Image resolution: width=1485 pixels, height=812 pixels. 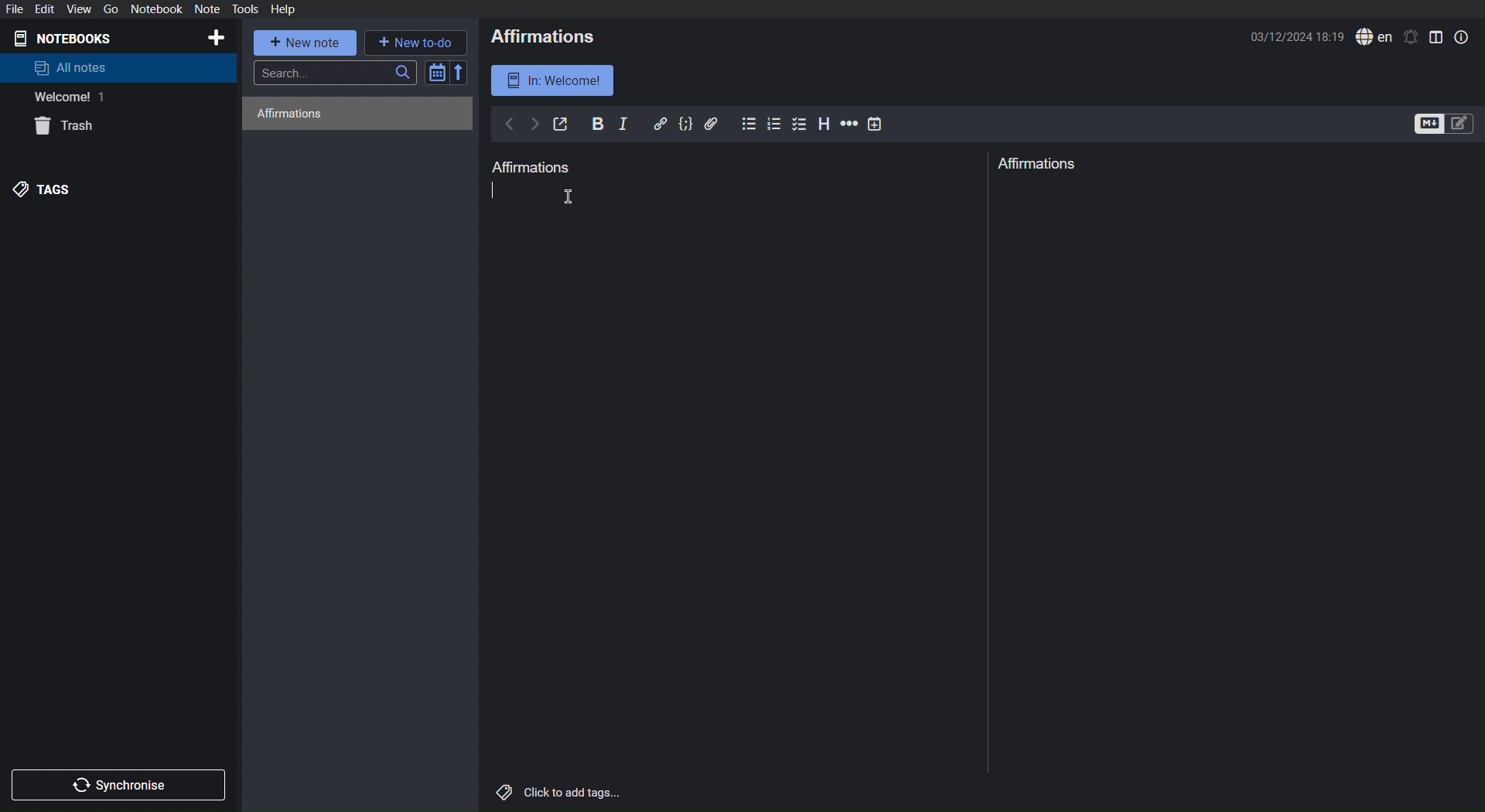 What do you see at coordinates (801, 124) in the screenshot?
I see `Checklist` at bounding box center [801, 124].